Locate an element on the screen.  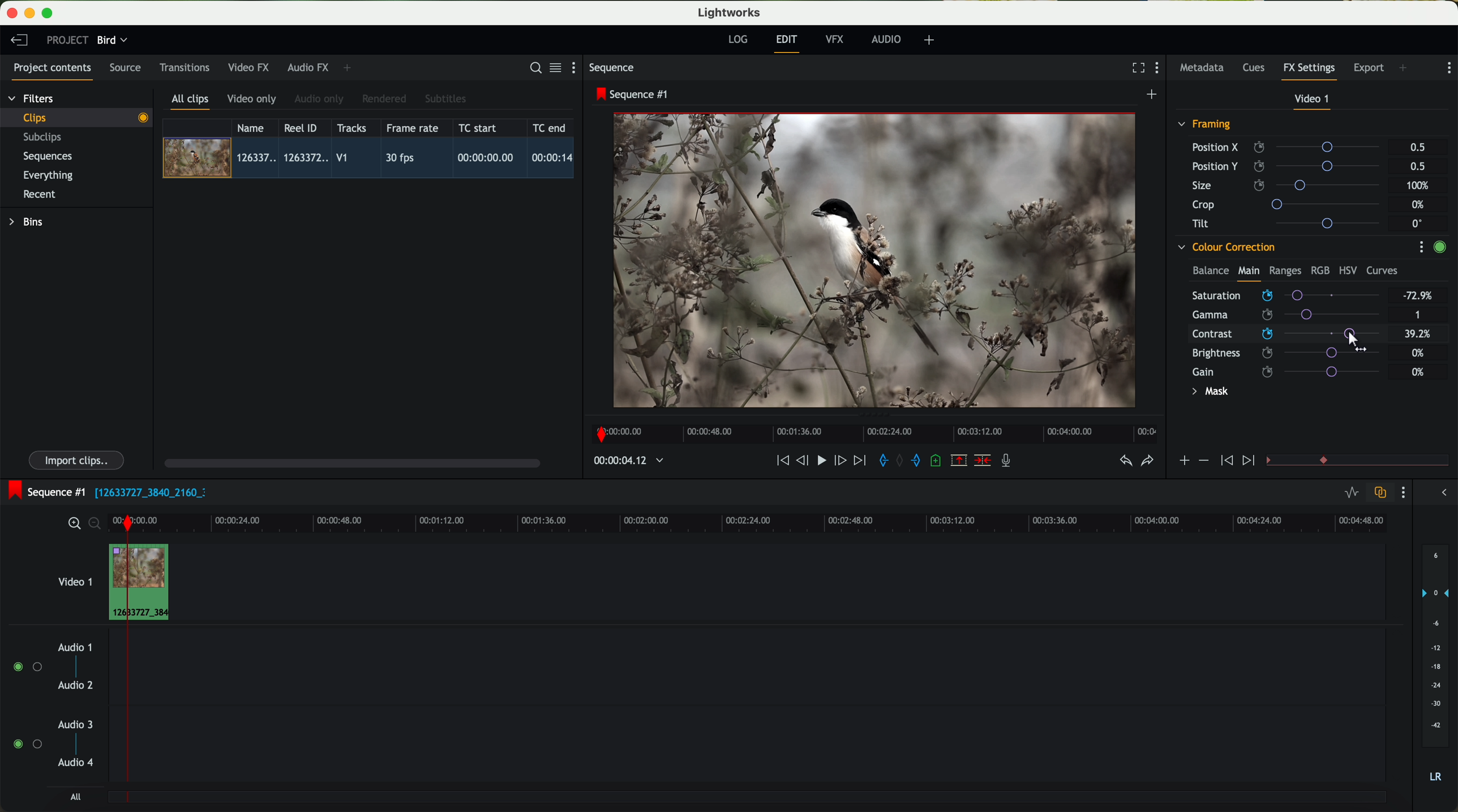
audio only is located at coordinates (320, 99).